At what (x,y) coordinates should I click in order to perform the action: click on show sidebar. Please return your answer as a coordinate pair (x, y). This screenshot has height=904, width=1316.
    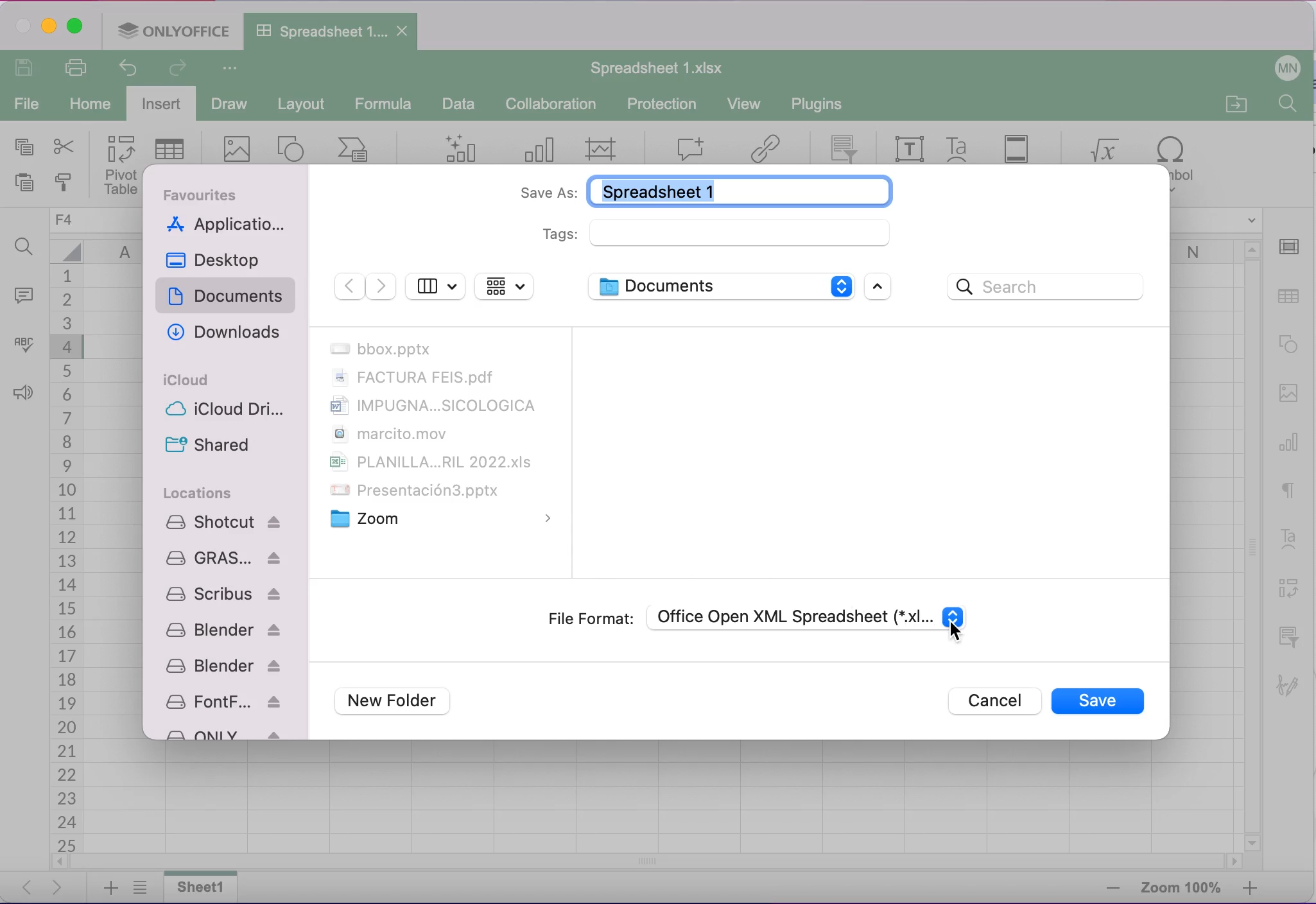
    Looking at the image, I should click on (435, 284).